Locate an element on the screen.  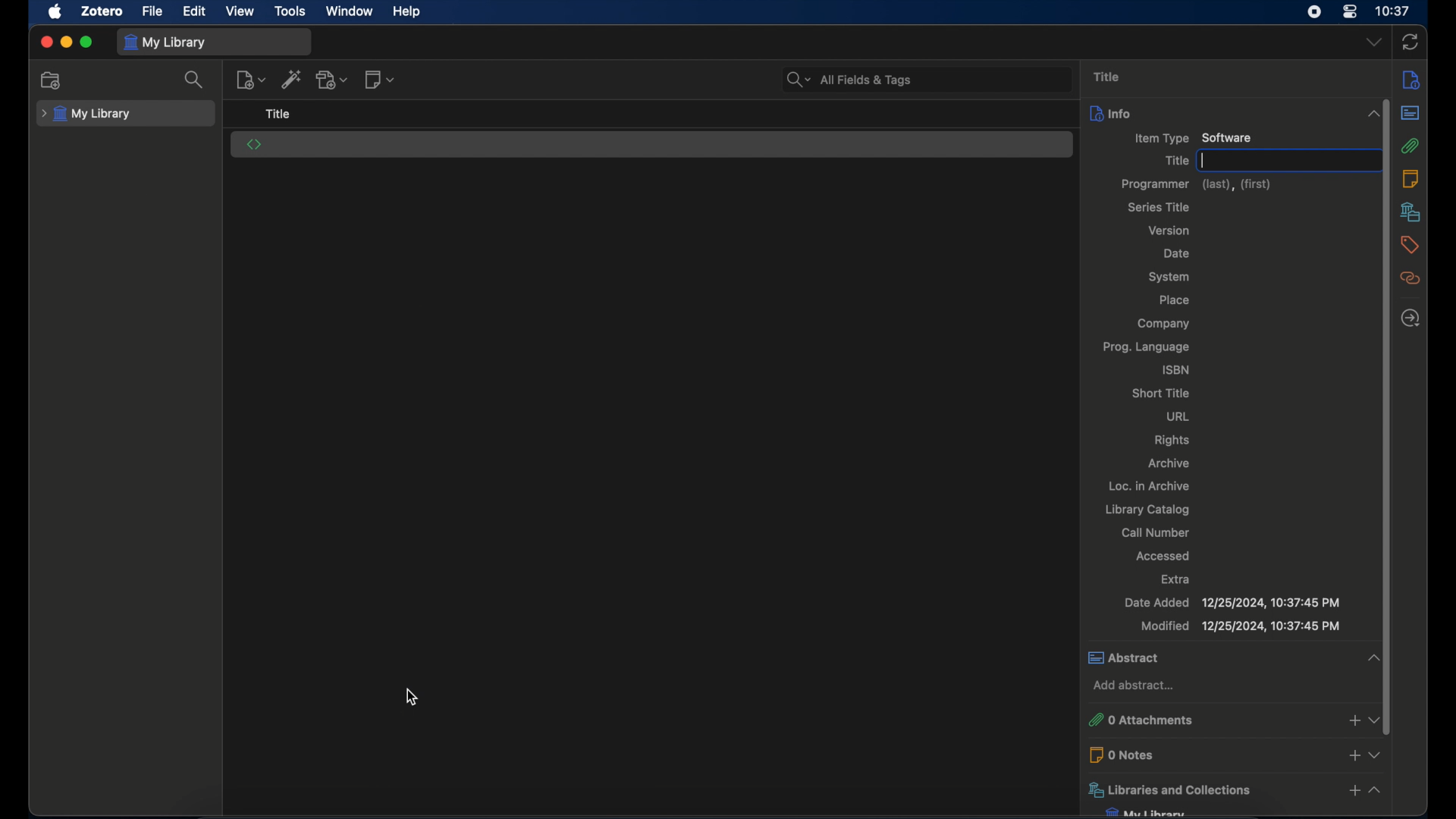
info is located at coordinates (1218, 113).